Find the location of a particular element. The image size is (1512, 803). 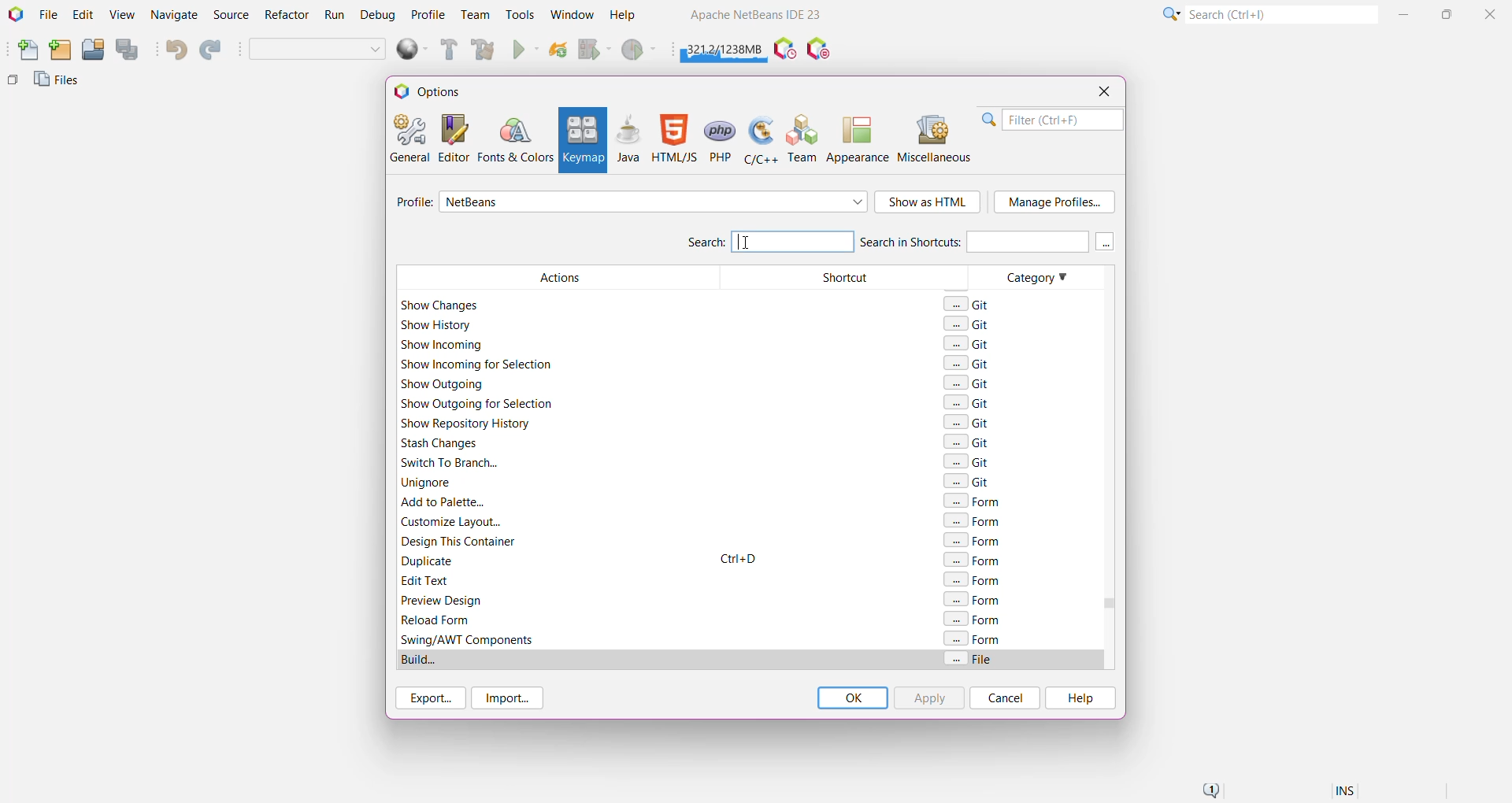

Miscellaneous is located at coordinates (936, 139).